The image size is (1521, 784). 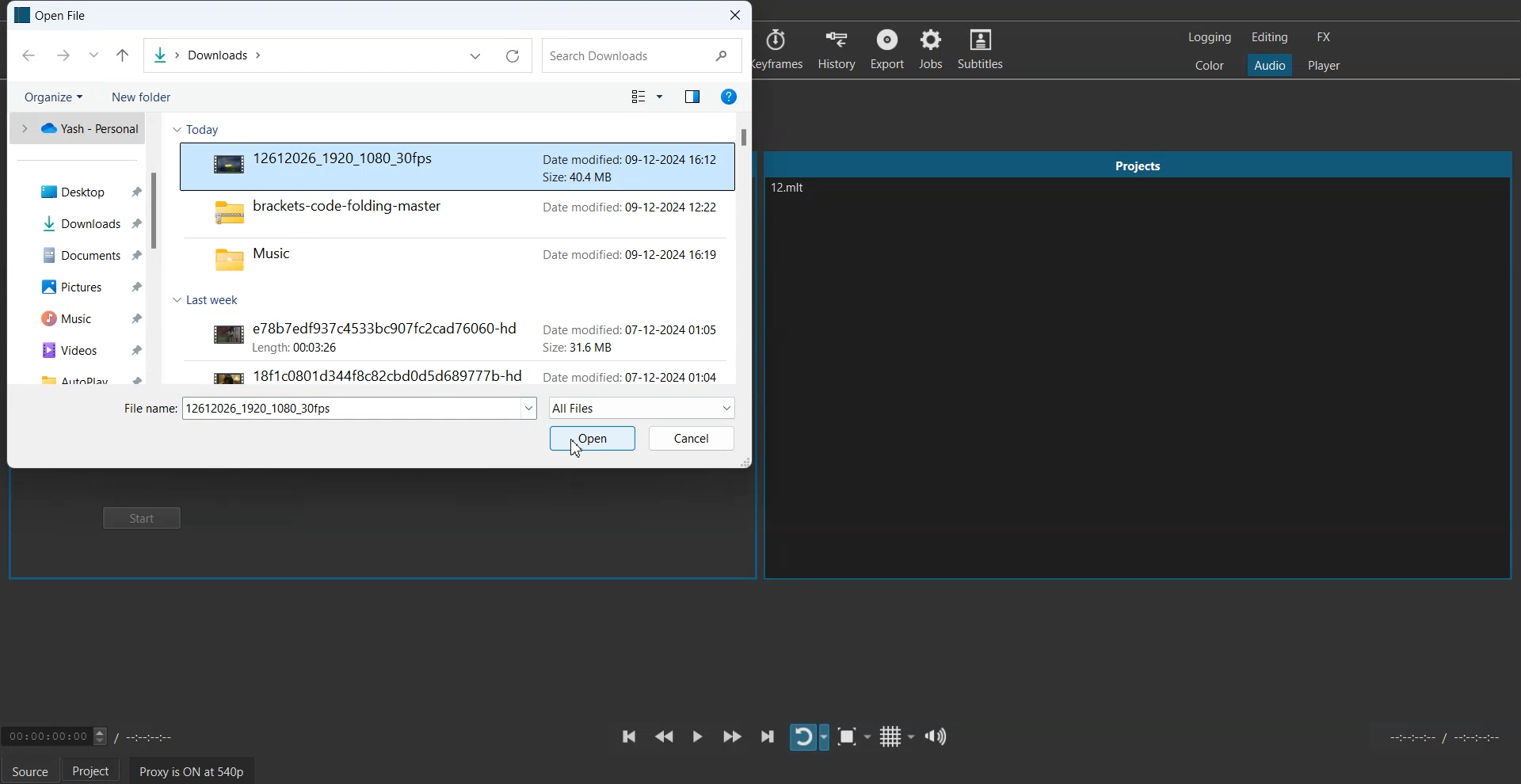 What do you see at coordinates (78, 191) in the screenshot?
I see `Desktop` at bounding box center [78, 191].